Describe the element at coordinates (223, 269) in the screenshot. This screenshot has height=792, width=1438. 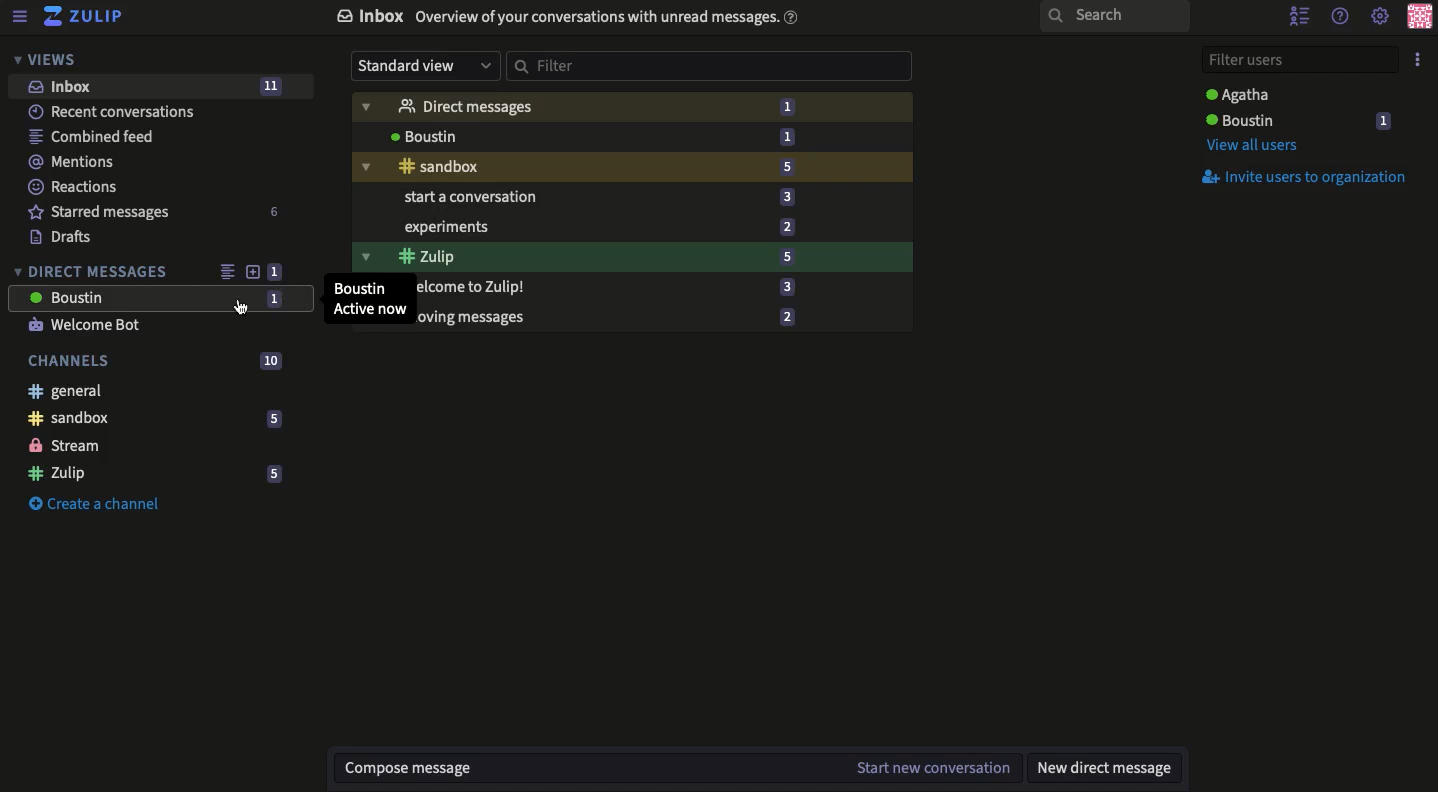
I see `Feed` at that location.